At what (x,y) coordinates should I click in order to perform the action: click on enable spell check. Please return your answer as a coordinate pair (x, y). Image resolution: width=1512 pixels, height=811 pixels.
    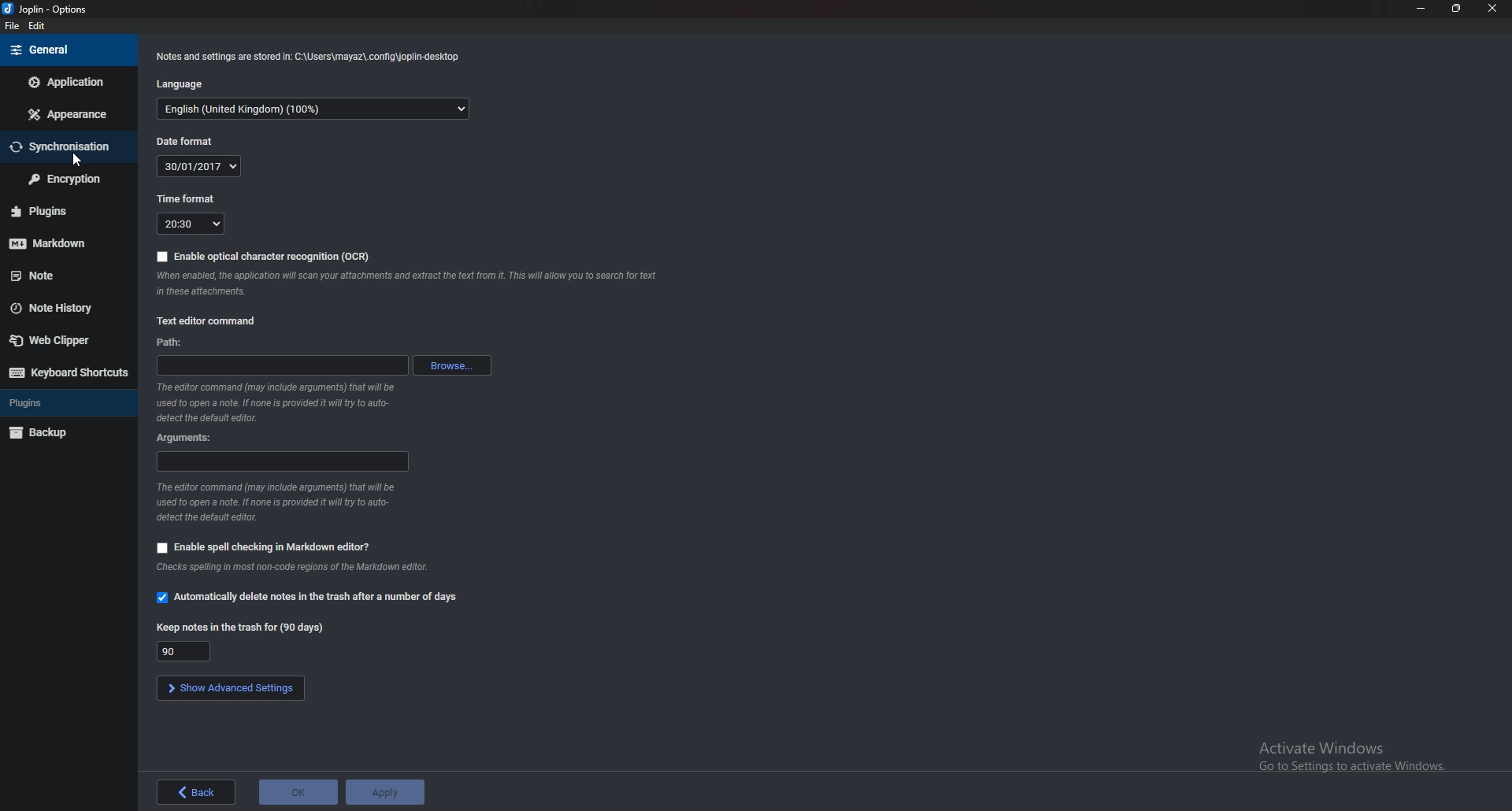
    Looking at the image, I should click on (264, 546).